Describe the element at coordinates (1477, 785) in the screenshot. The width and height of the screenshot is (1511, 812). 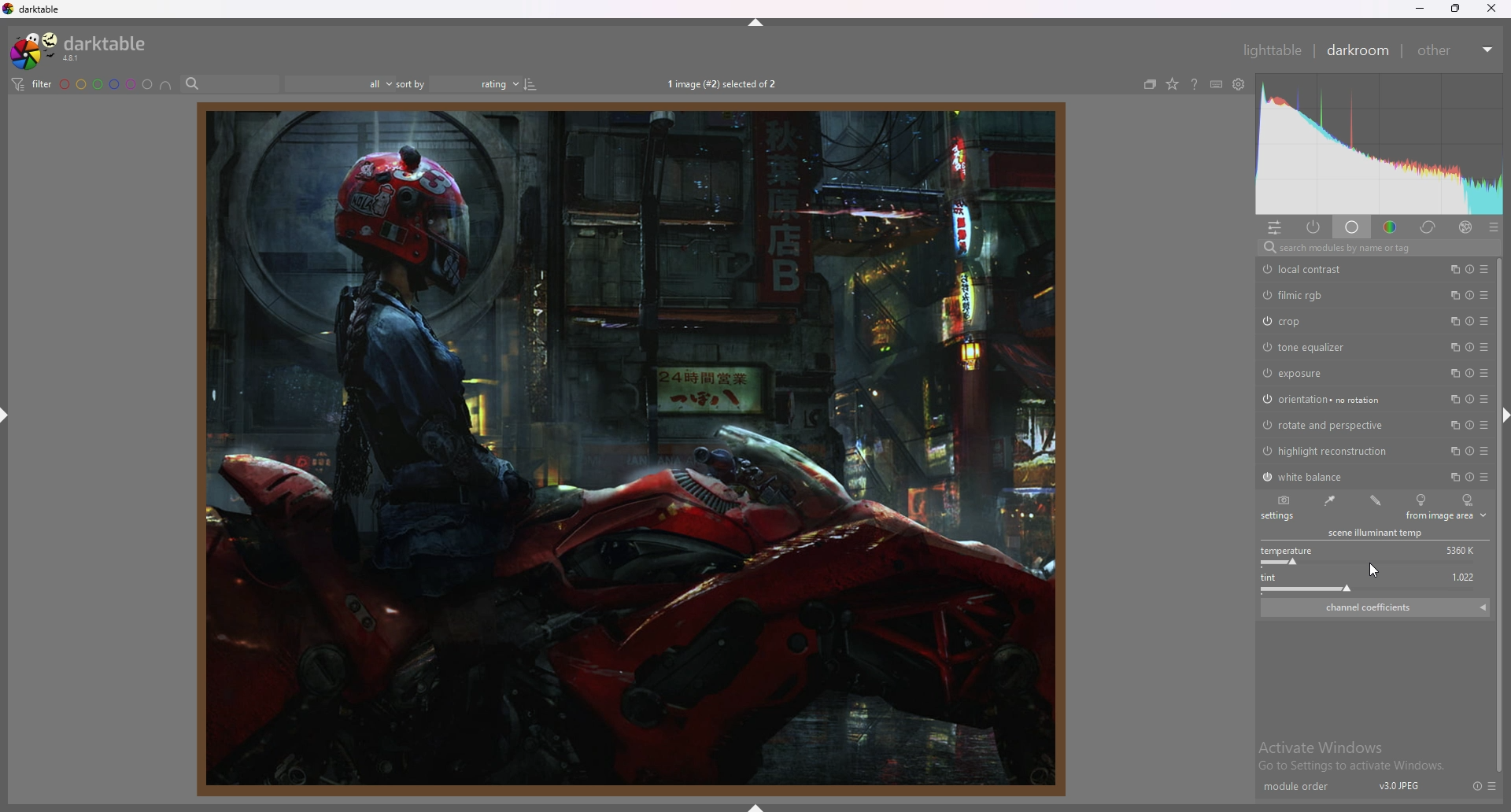
I see `reset` at that location.